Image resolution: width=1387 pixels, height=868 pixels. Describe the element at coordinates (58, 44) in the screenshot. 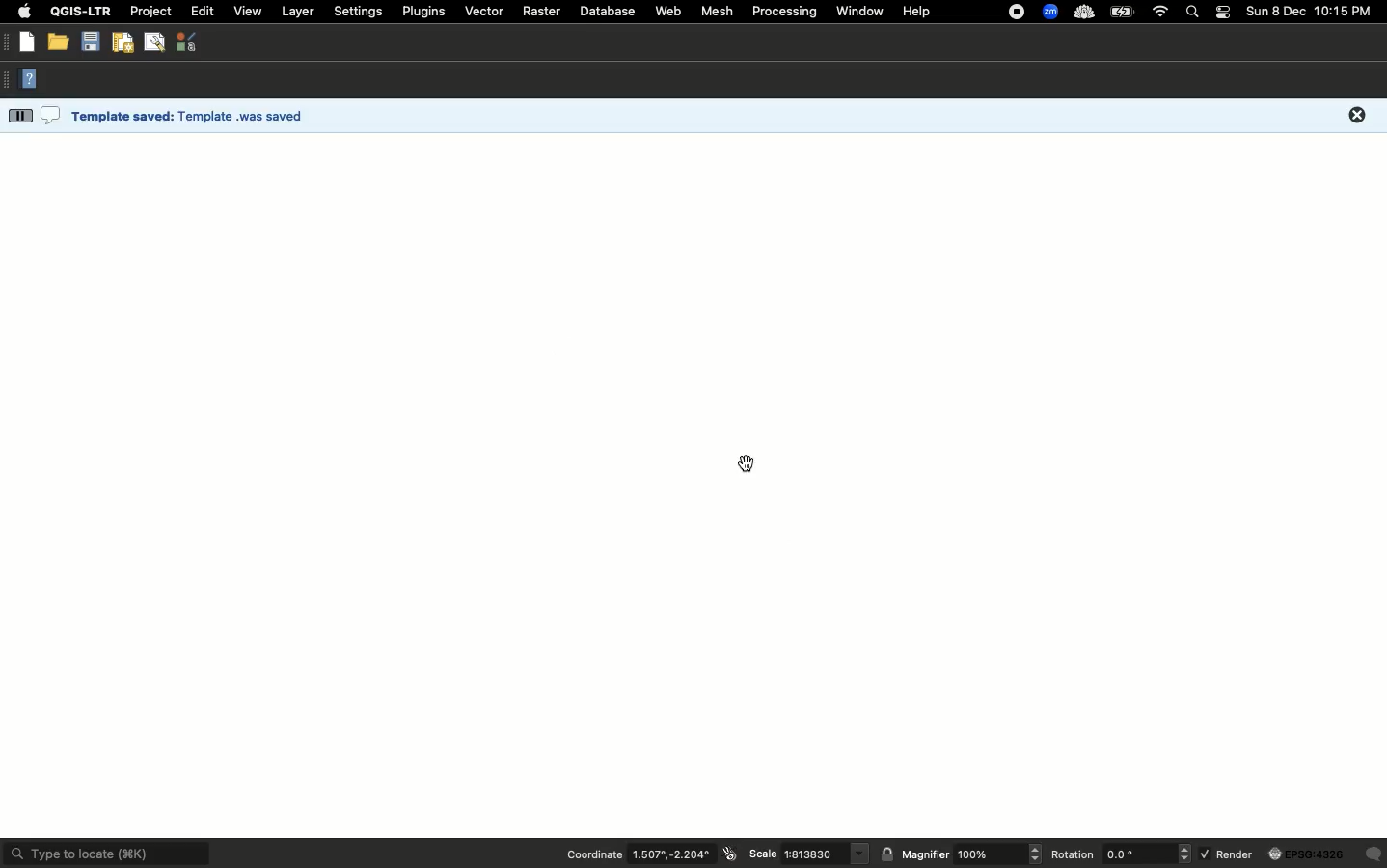

I see `Open` at that location.